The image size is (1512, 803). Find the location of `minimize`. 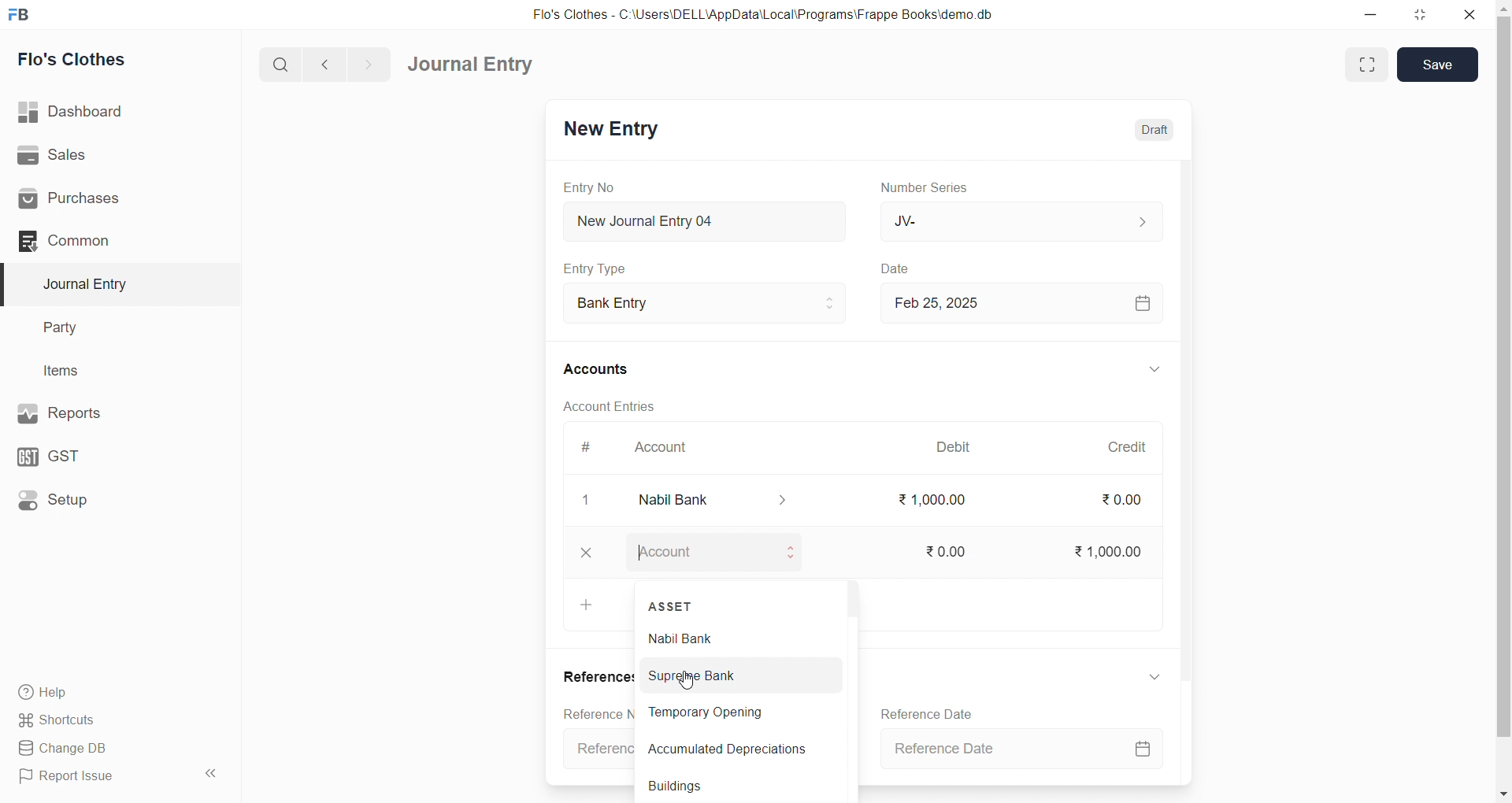

minimize is located at coordinates (1366, 13).